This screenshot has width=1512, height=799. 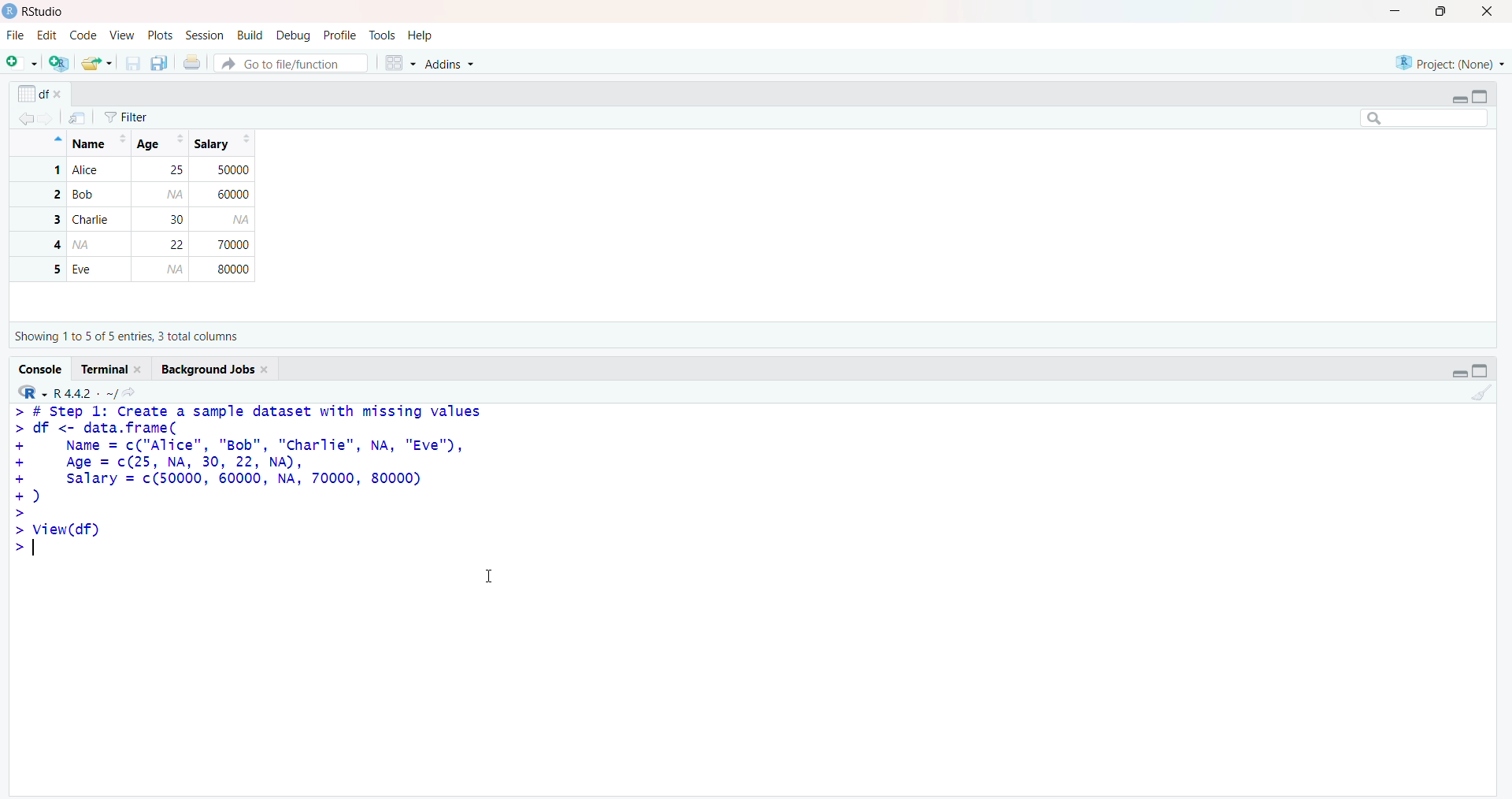 What do you see at coordinates (1425, 119) in the screenshot?
I see `Search bar` at bounding box center [1425, 119].